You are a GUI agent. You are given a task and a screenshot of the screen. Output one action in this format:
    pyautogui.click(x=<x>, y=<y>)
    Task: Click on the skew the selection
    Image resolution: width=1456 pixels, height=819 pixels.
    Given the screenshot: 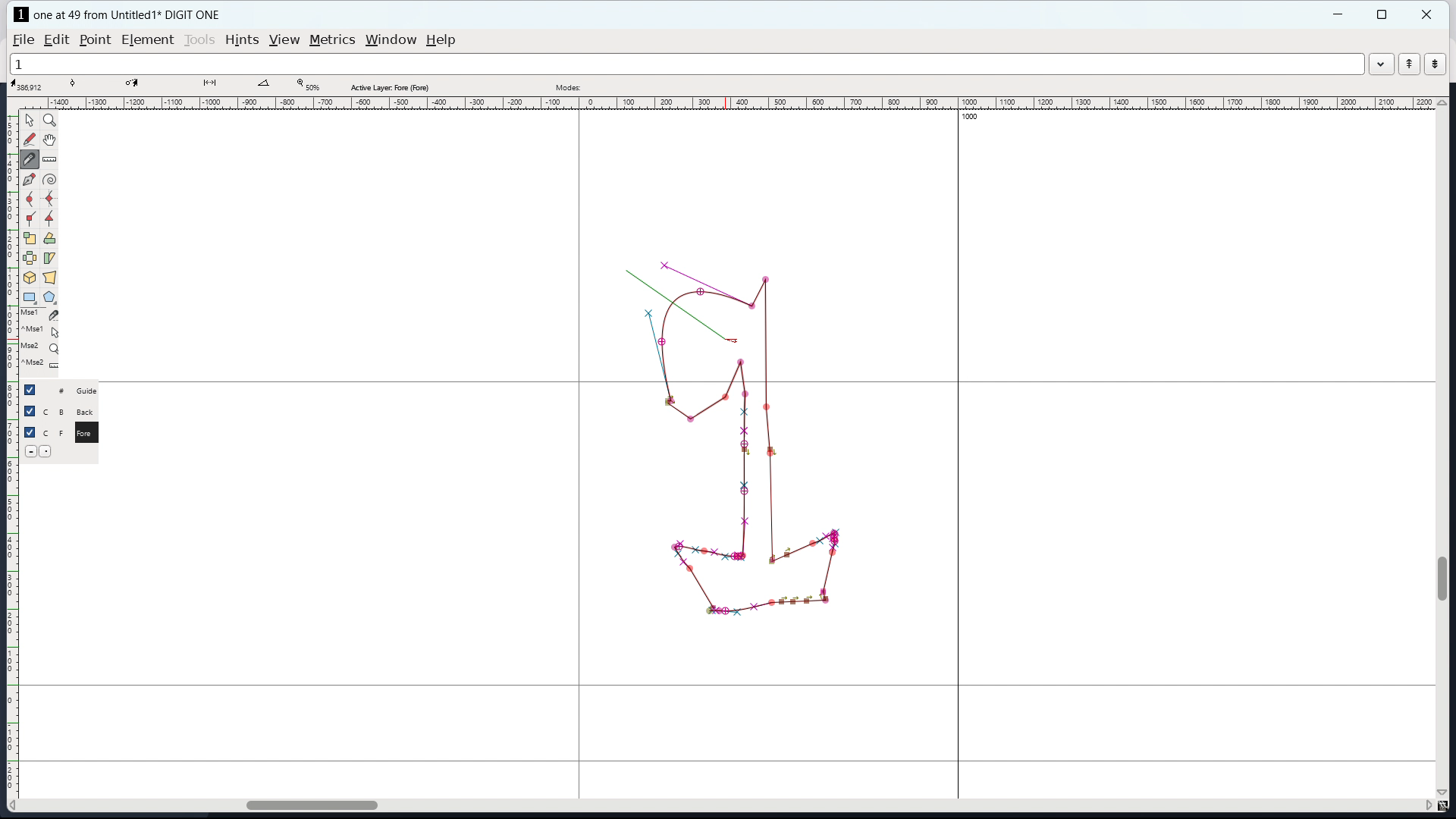 What is the action you would take?
    pyautogui.click(x=50, y=258)
    